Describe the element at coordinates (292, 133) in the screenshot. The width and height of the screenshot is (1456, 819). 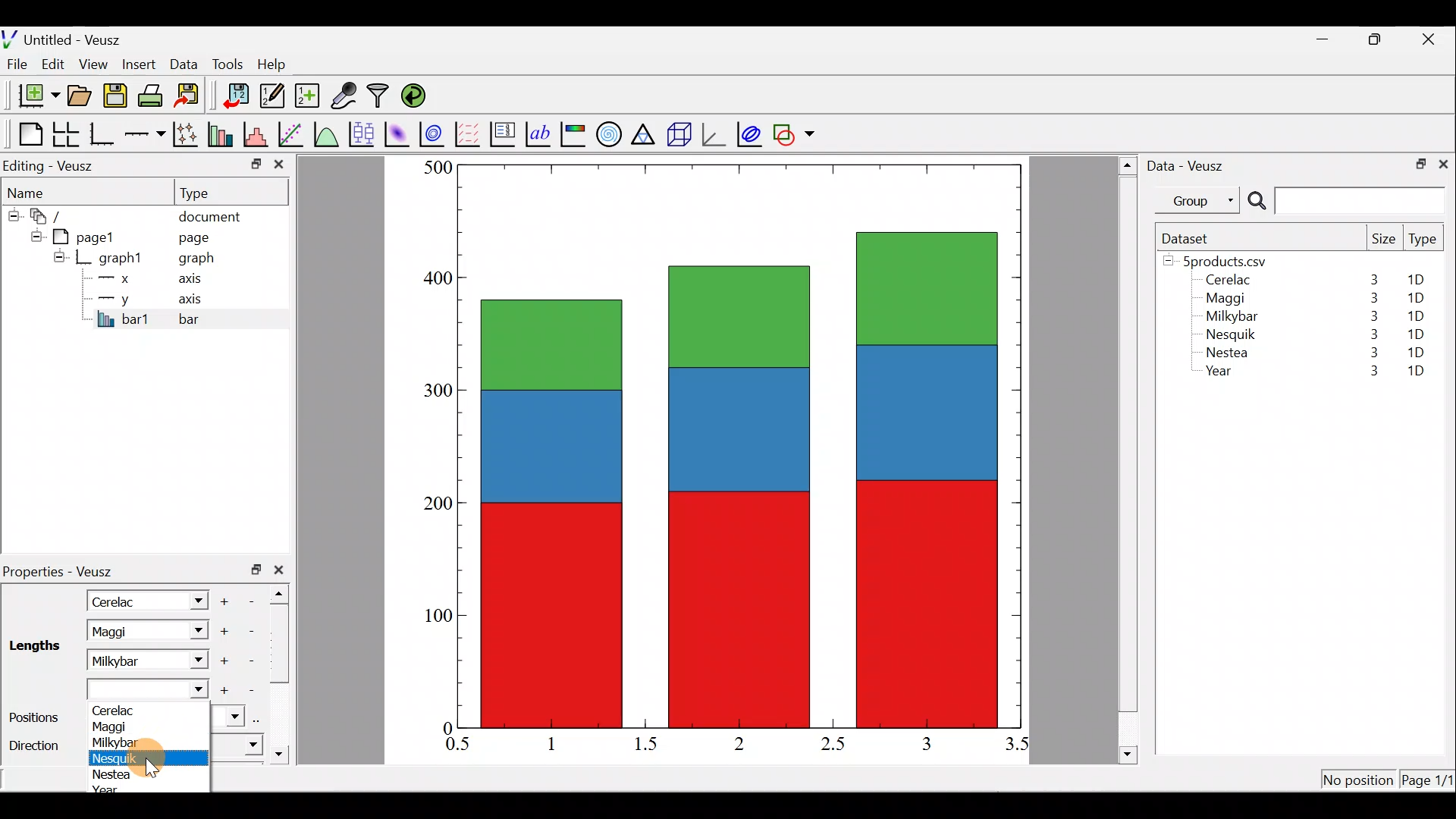
I see `Fit a function to data` at that location.